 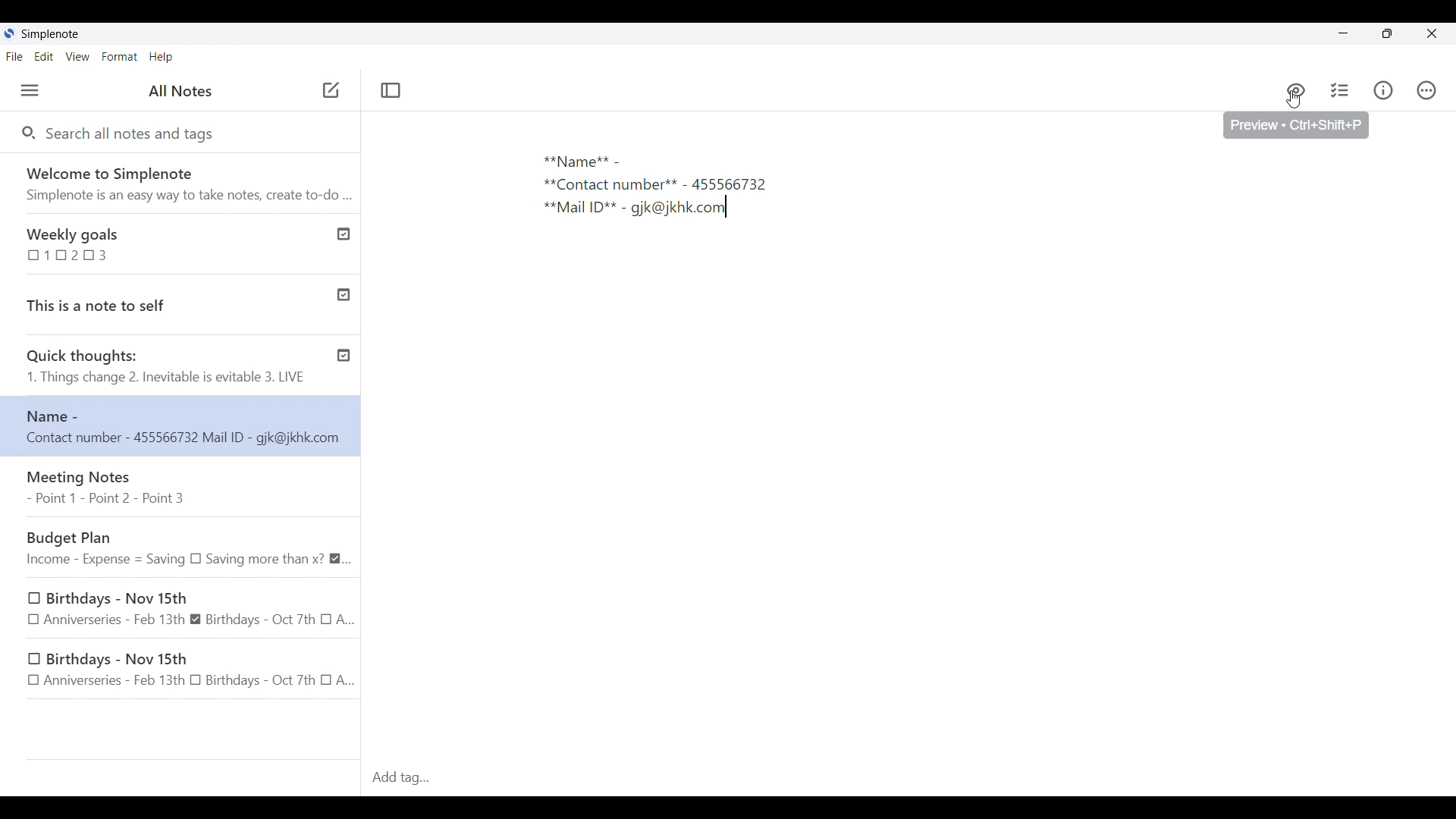 I want to click on This is a note to self, so click(x=162, y=302).